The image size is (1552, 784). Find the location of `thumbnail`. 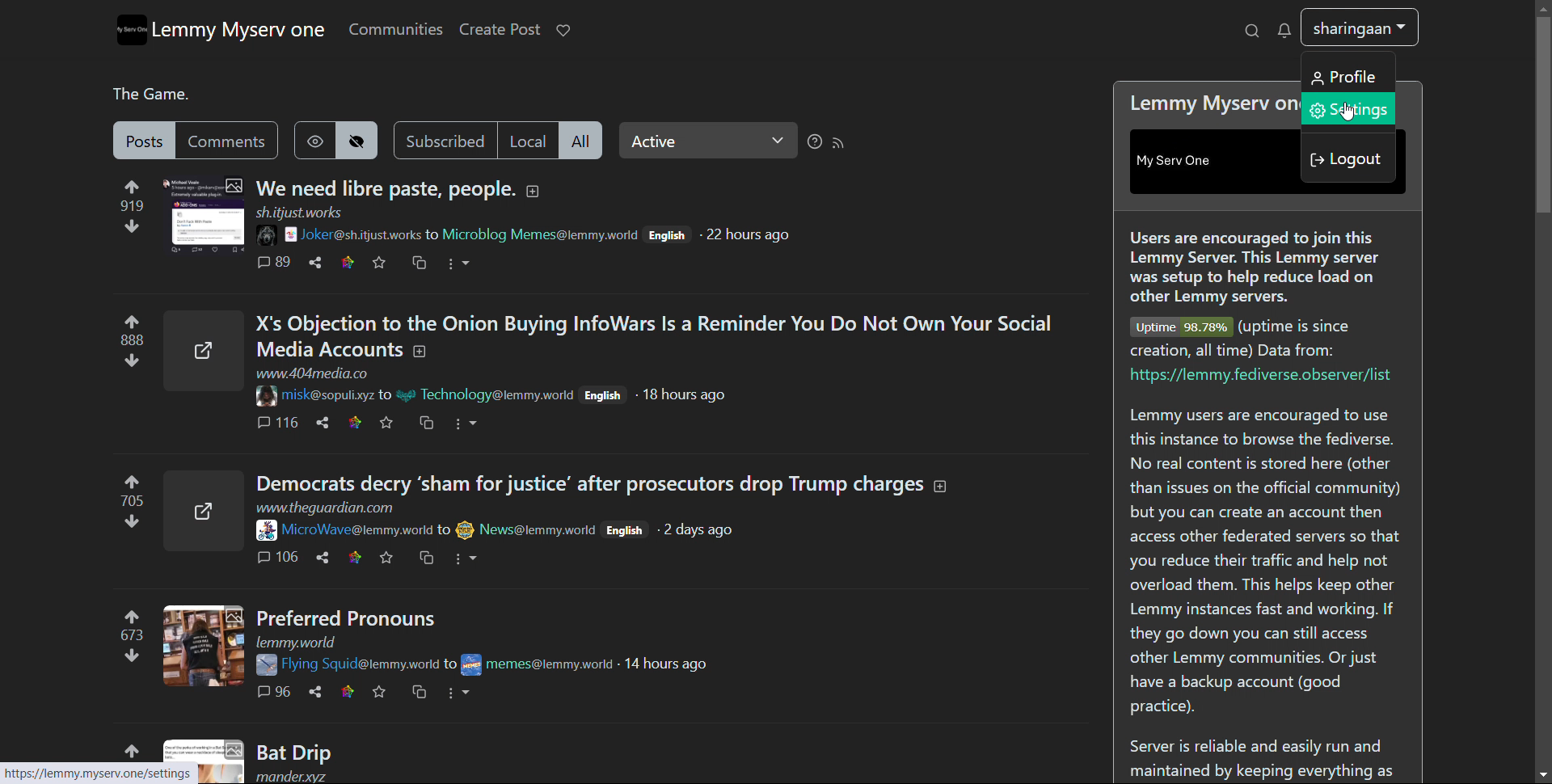

thumbnail is located at coordinates (203, 509).